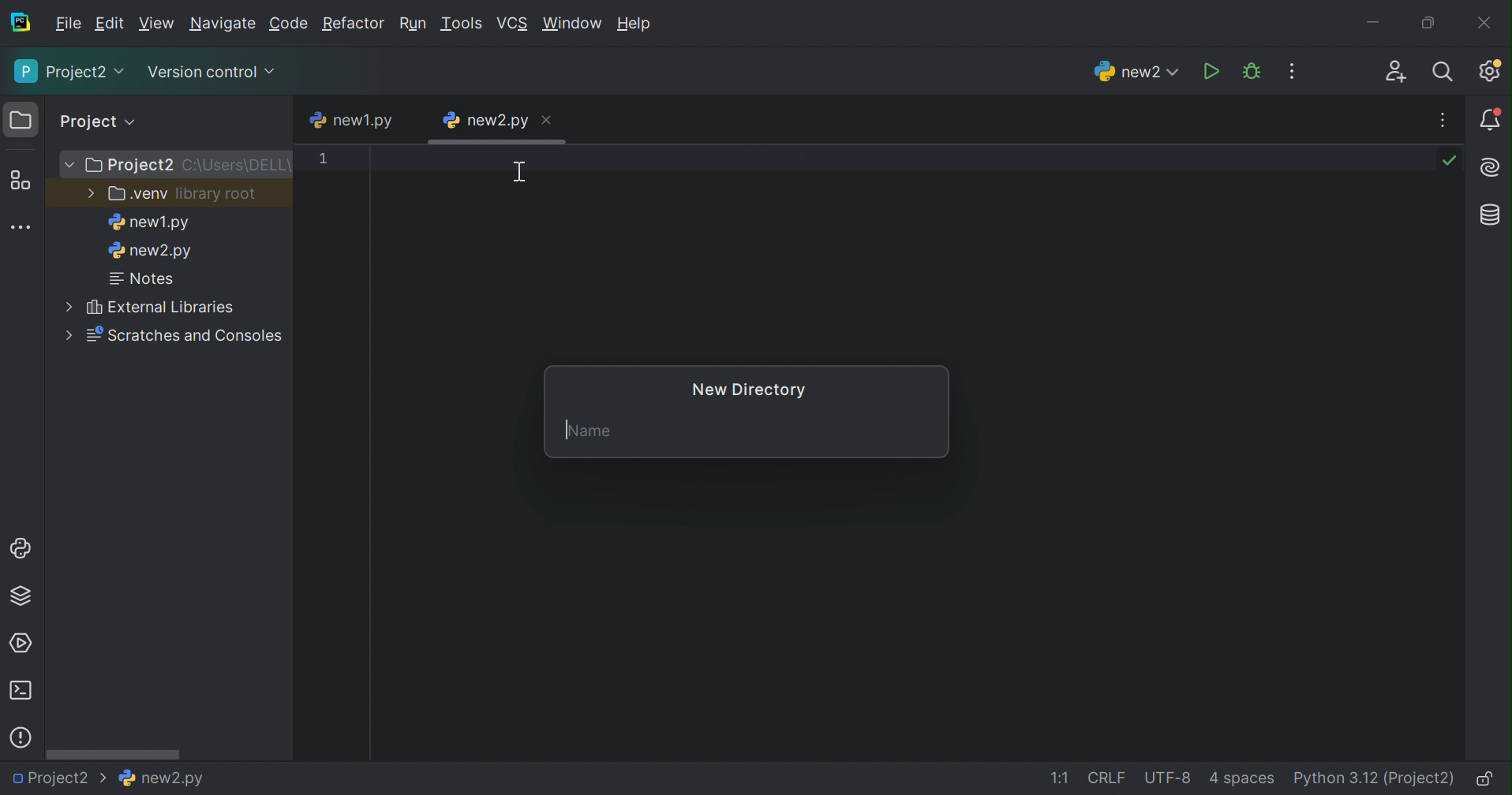 The width and height of the screenshot is (1512, 795). I want to click on 4 spaces, so click(1244, 779).